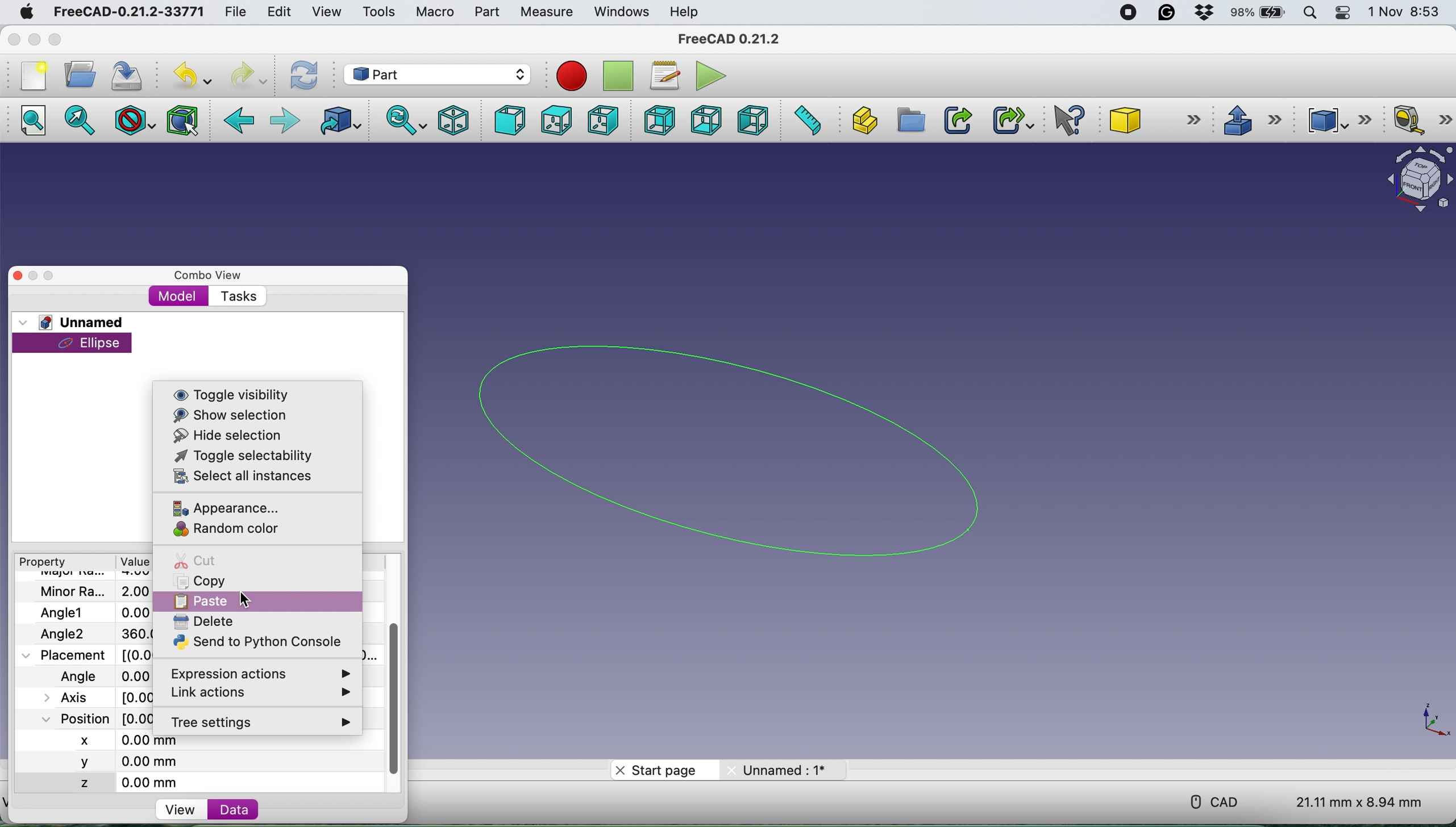 The image size is (1456, 827). What do you see at coordinates (1336, 120) in the screenshot?
I see `compound tools` at bounding box center [1336, 120].